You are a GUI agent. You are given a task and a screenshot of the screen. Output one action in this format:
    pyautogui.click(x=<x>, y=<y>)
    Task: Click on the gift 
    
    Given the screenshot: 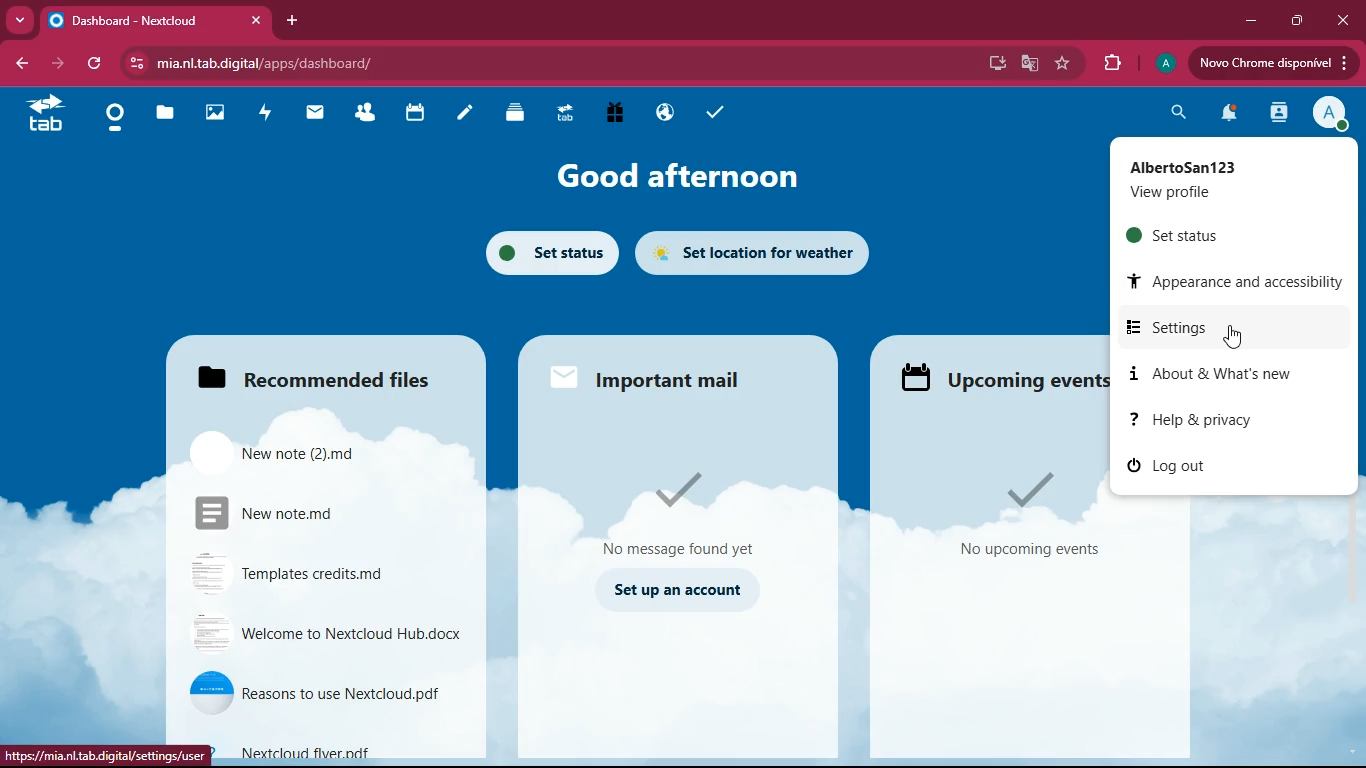 What is the action you would take?
    pyautogui.click(x=622, y=114)
    